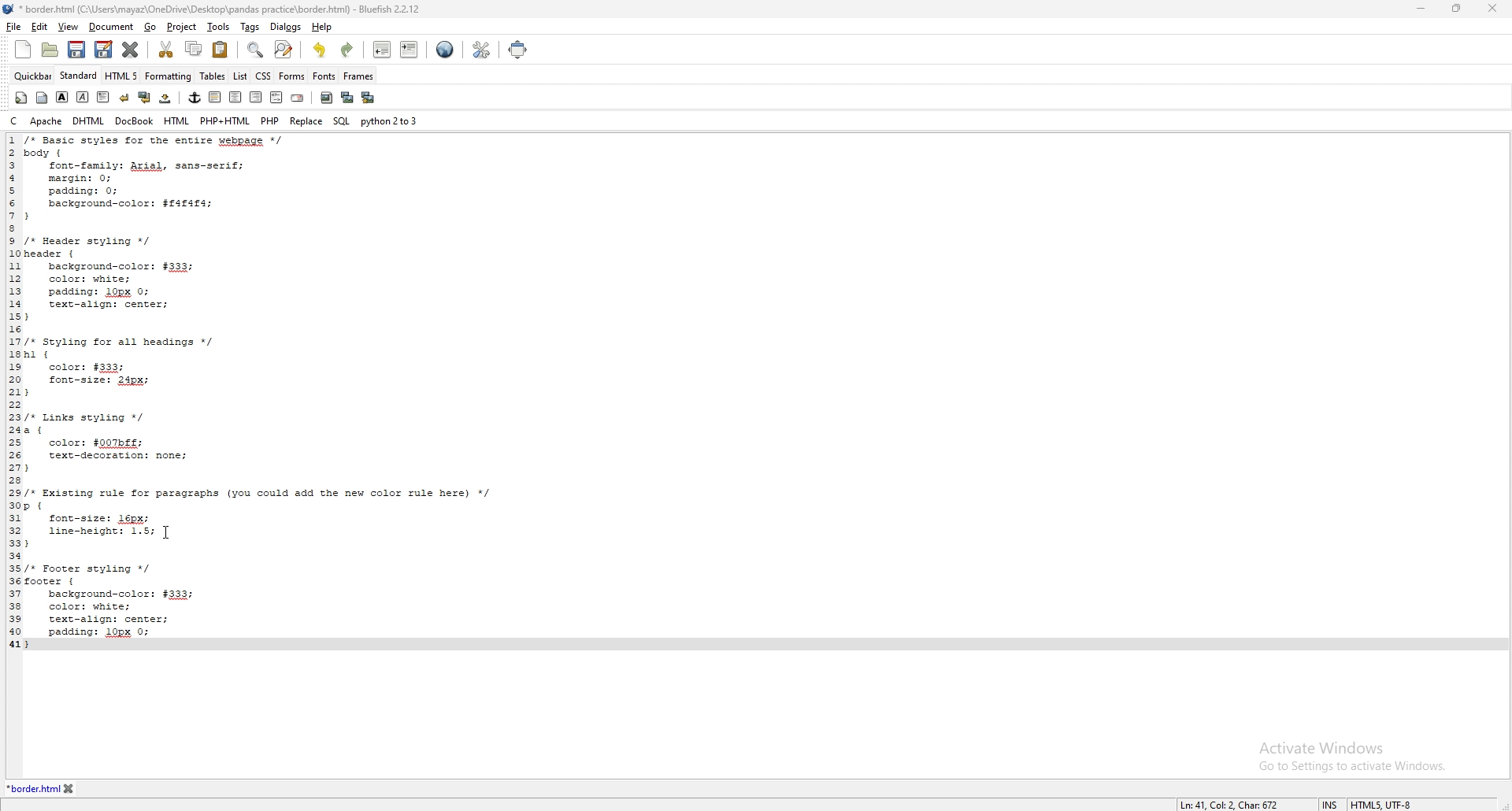  What do you see at coordinates (224, 120) in the screenshot?
I see `php+html` at bounding box center [224, 120].